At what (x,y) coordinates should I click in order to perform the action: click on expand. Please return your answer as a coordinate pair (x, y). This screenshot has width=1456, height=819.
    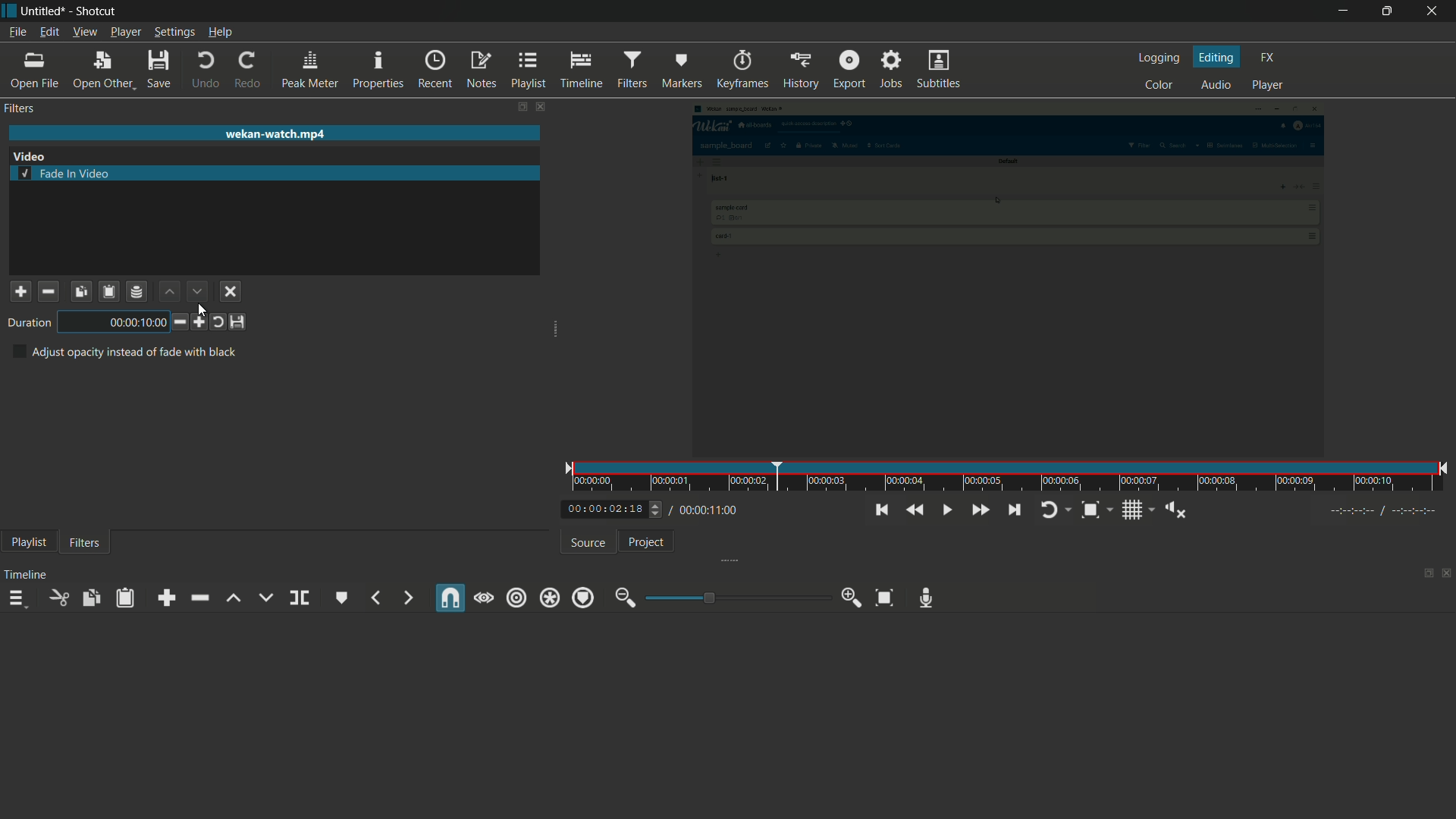
    Looking at the image, I should click on (555, 331).